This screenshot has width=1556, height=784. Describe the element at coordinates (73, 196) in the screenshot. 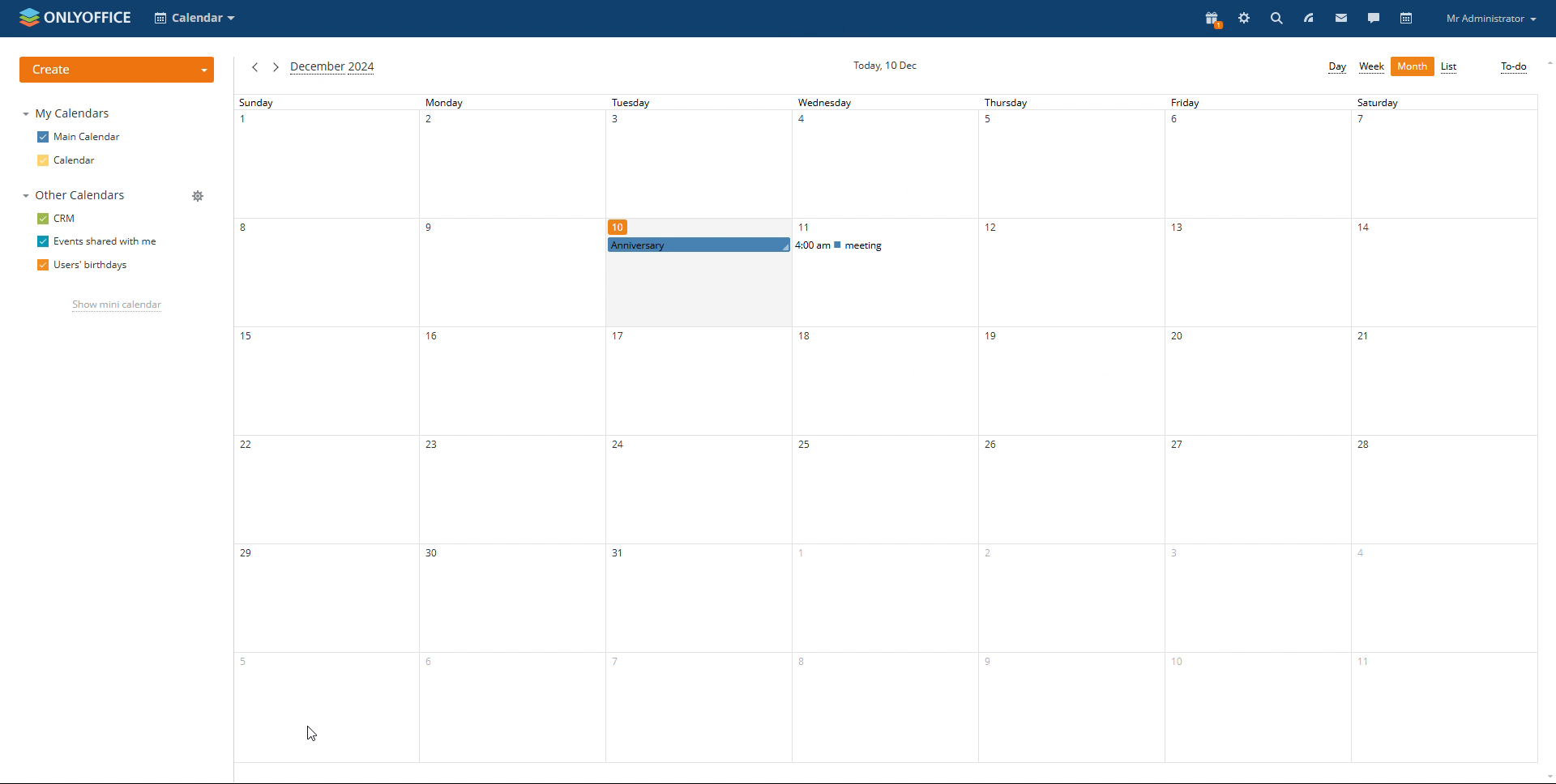

I see `other calendar` at that location.